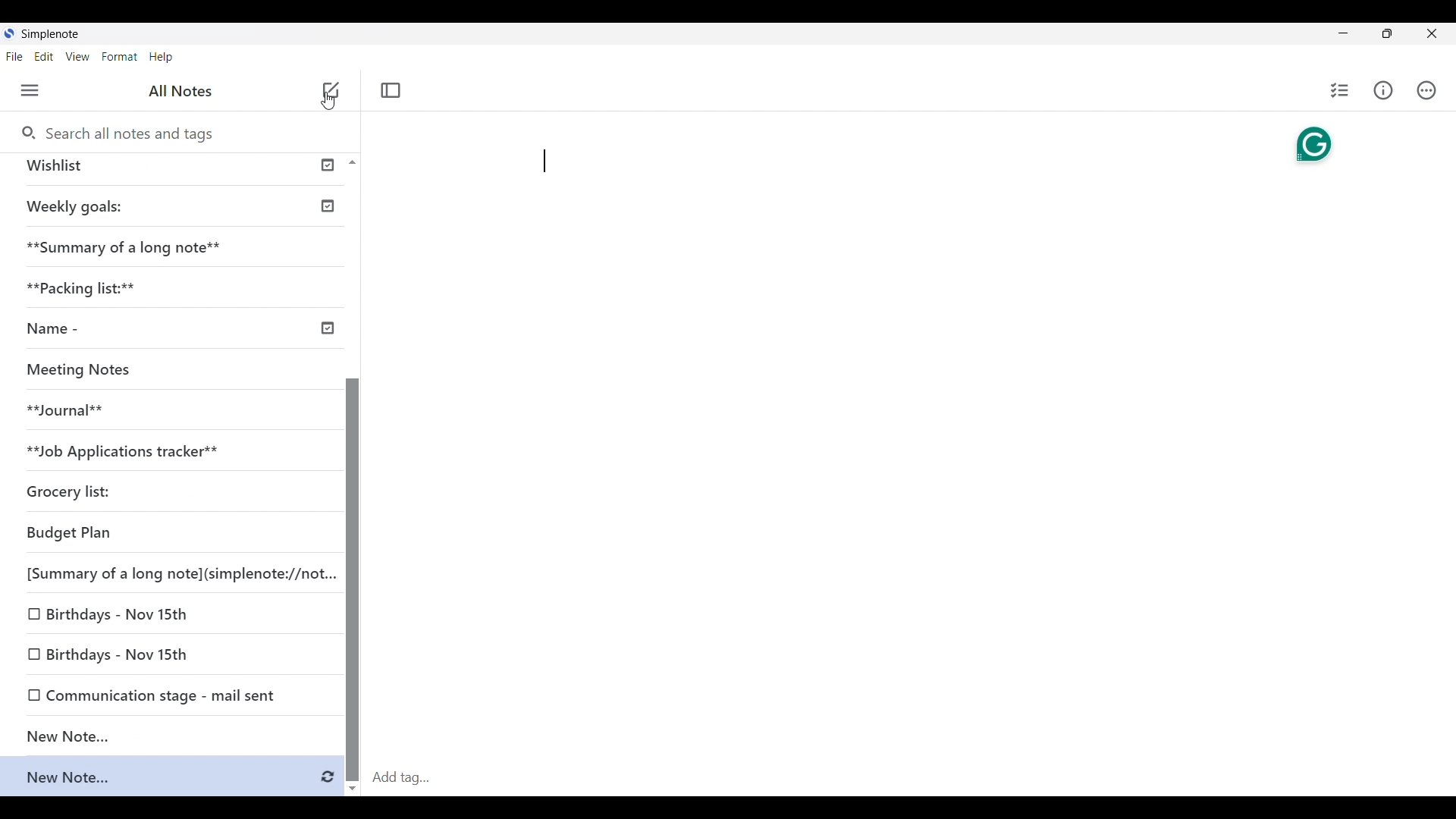  I want to click on refresh, so click(325, 778).